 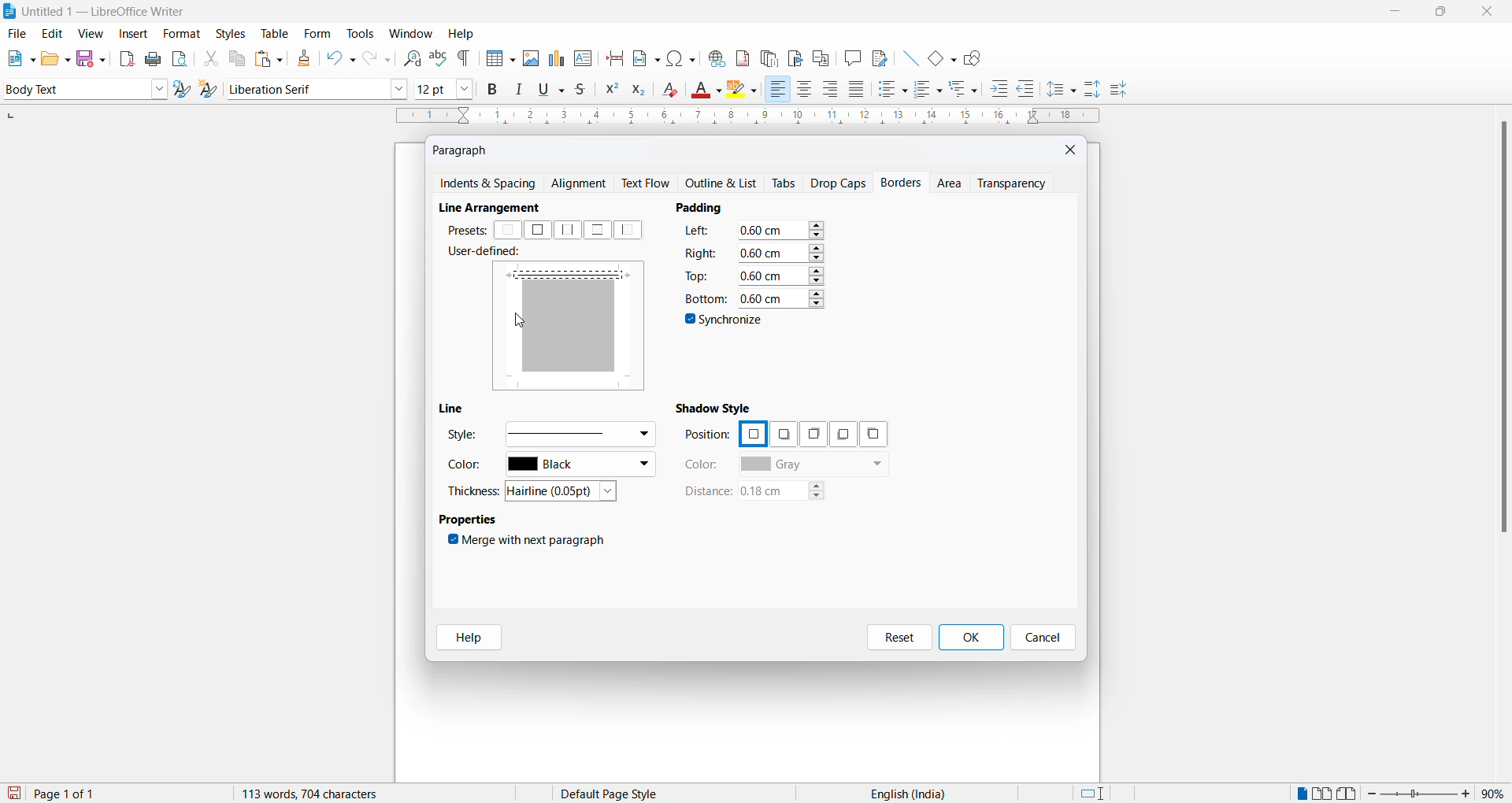 What do you see at coordinates (537, 230) in the screenshot?
I see `all sides` at bounding box center [537, 230].